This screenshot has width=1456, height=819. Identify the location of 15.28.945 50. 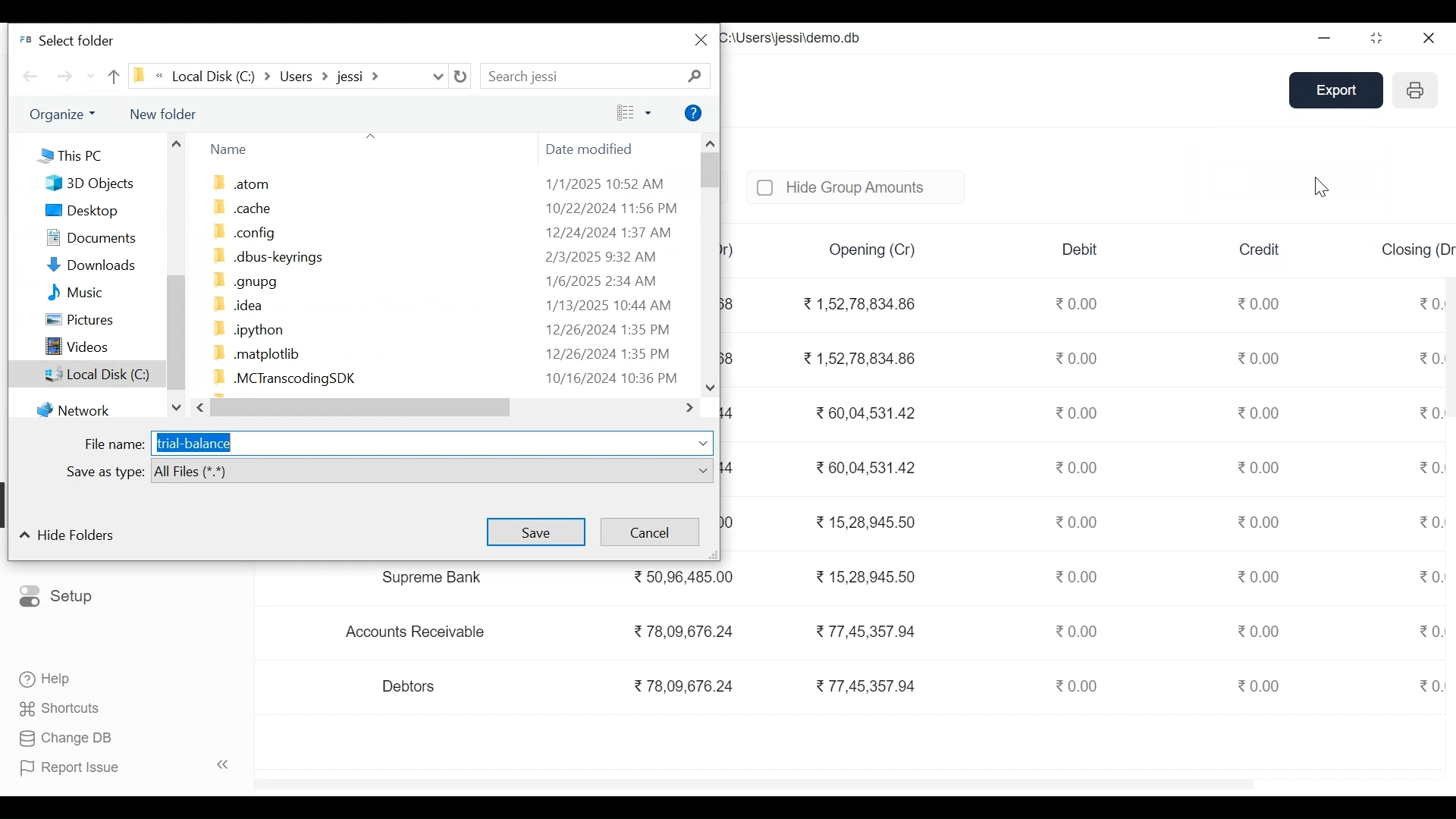
(867, 522).